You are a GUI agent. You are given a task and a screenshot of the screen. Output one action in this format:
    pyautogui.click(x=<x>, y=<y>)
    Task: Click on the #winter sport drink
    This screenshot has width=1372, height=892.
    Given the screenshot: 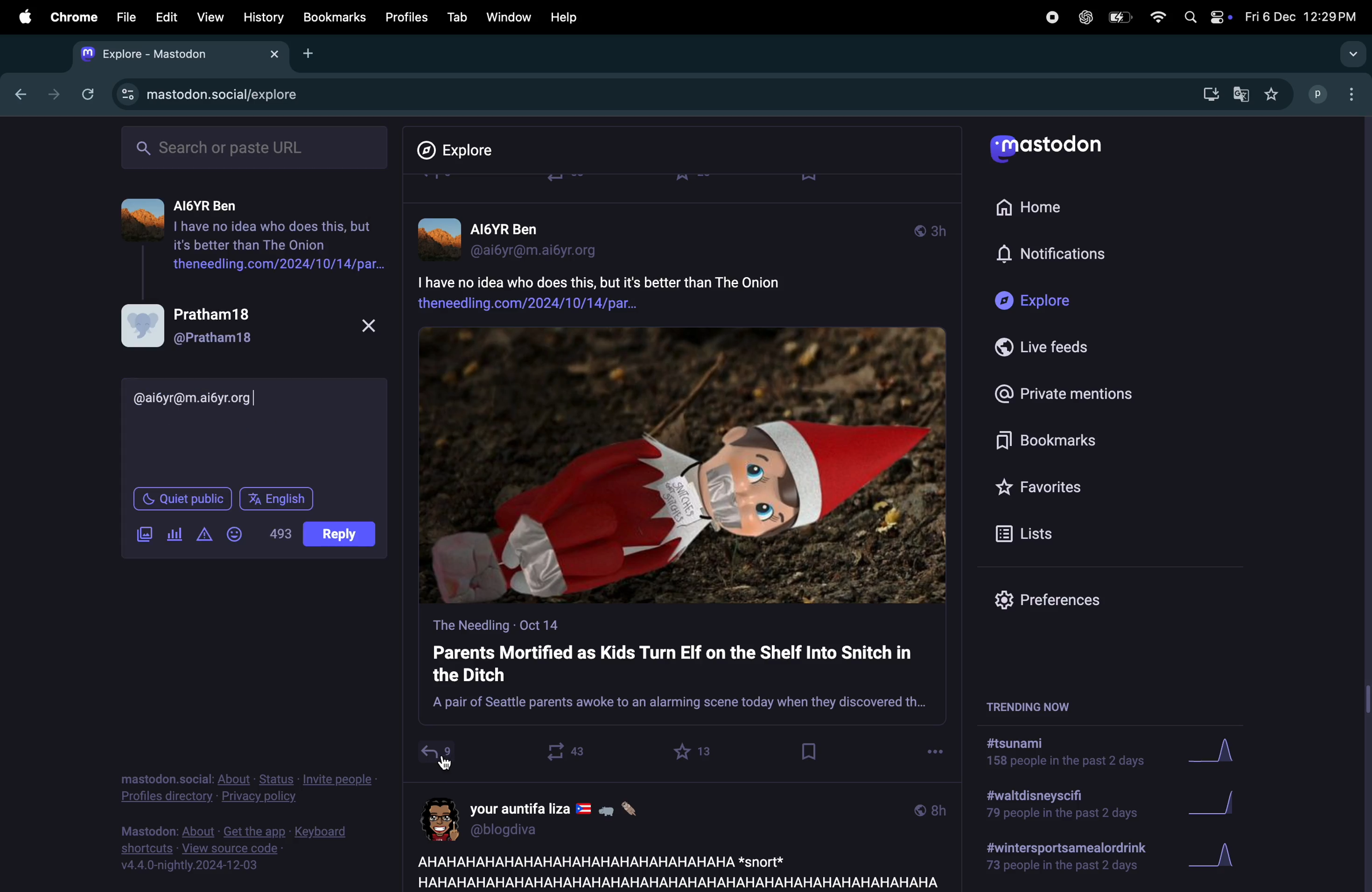 What is the action you would take?
    pyautogui.click(x=1063, y=859)
    